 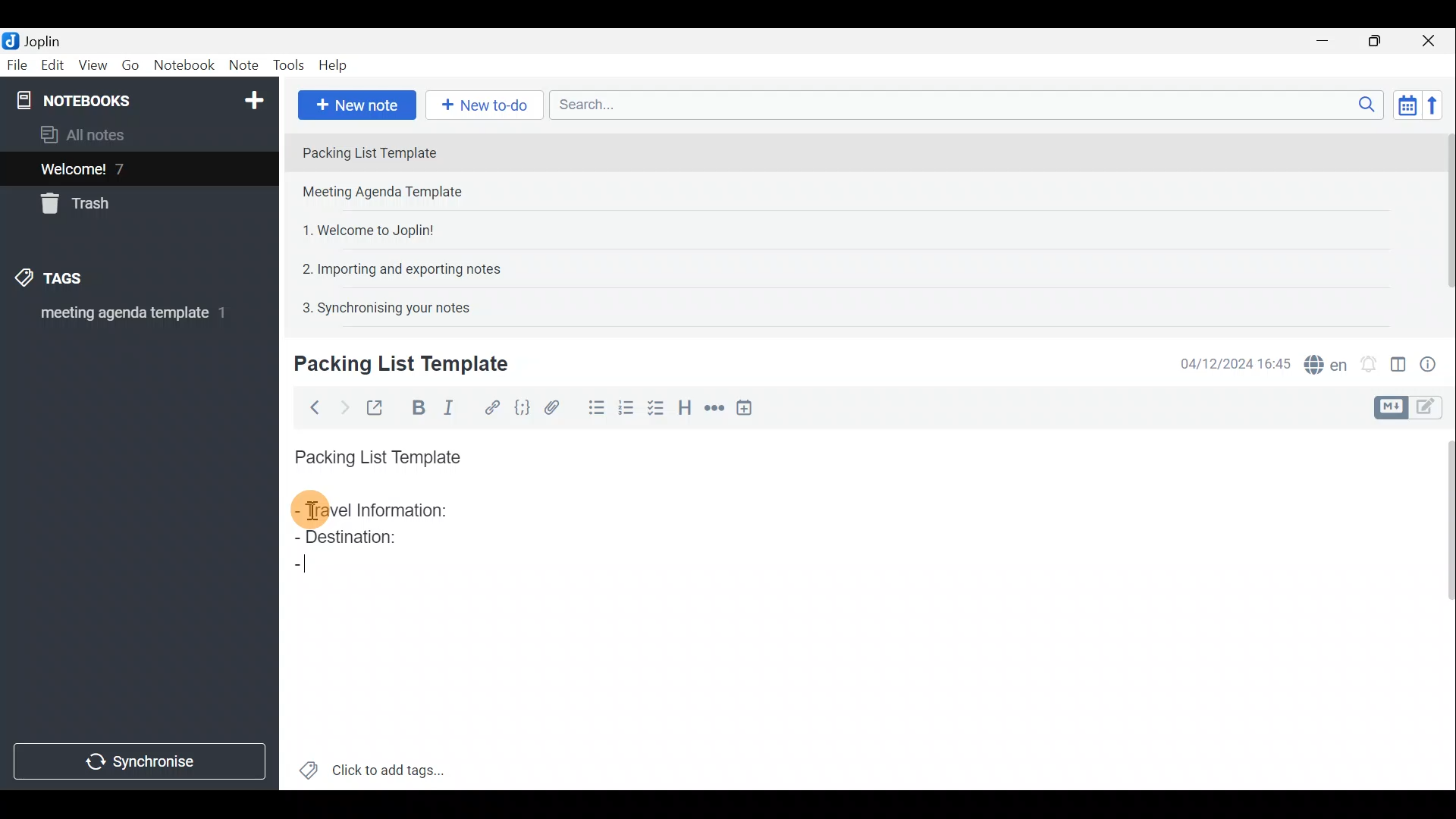 I want to click on Click to add tags, so click(x=372, y=766).